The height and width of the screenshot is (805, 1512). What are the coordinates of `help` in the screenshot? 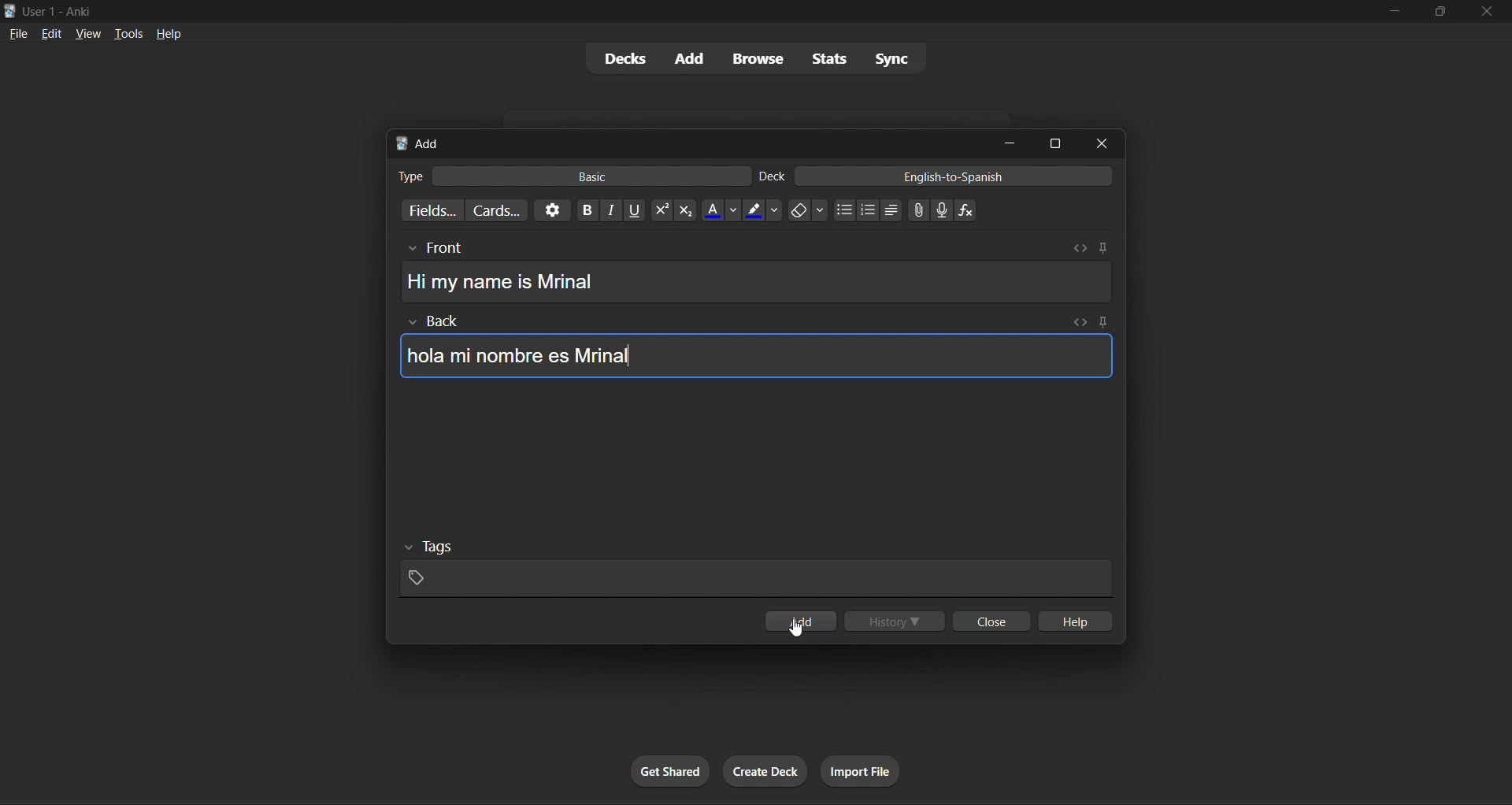 It's located at (1077, 618).